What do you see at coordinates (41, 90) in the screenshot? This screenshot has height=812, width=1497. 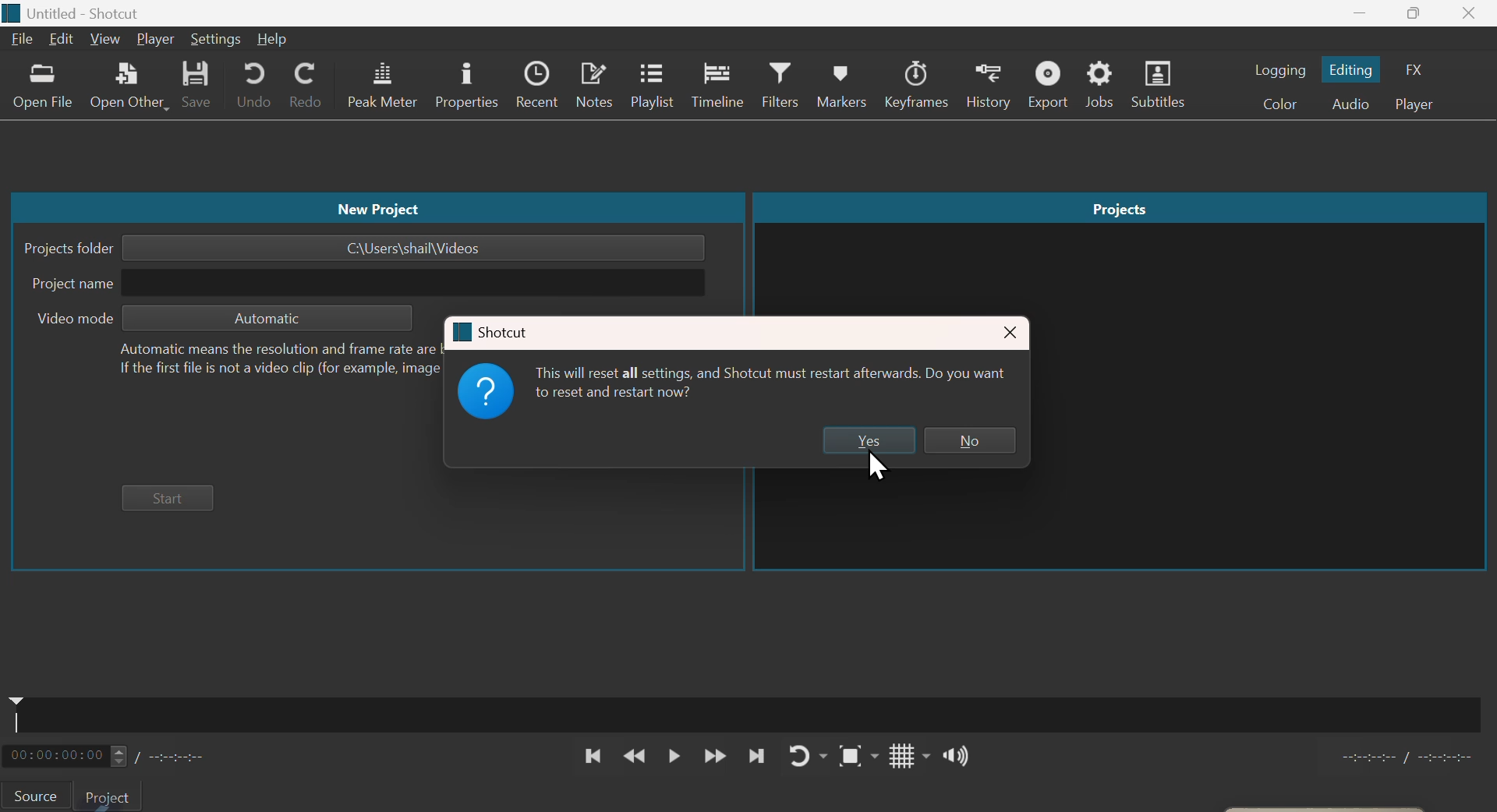 I see `open file` at bounding box center [41, 90].